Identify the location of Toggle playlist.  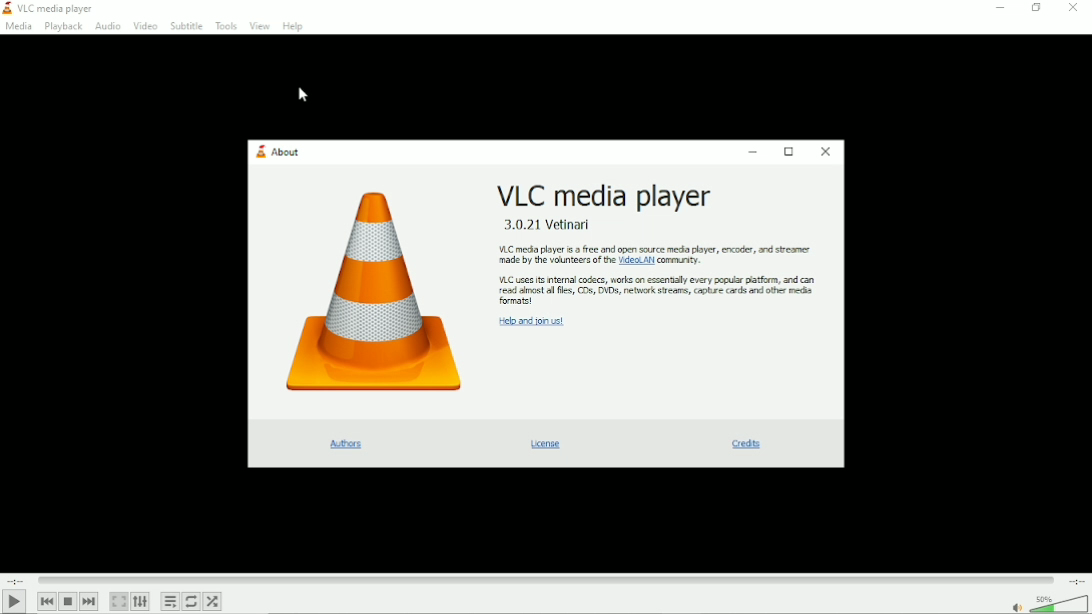
(170, 601).